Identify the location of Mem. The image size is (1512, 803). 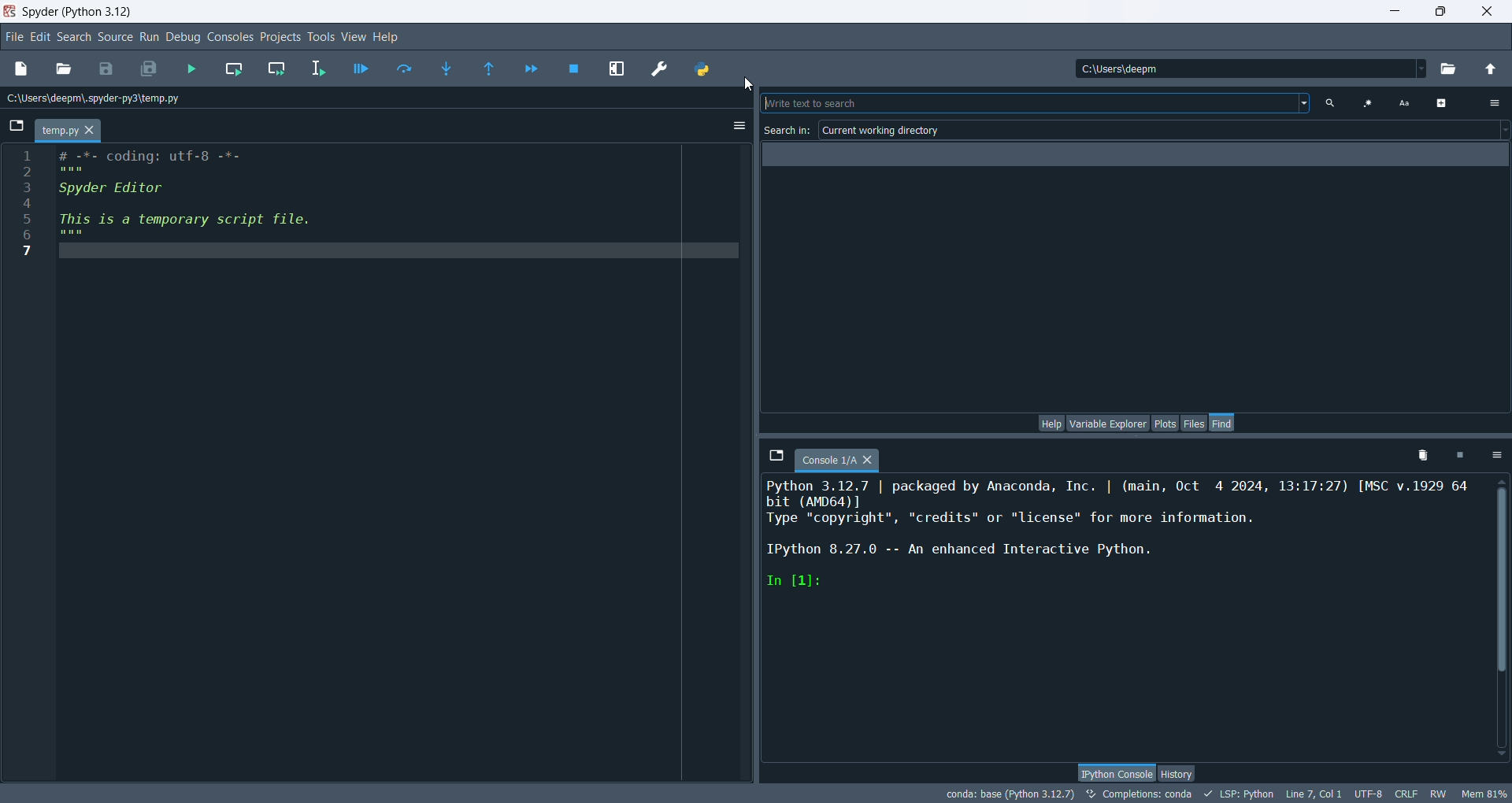
(1483, 794).